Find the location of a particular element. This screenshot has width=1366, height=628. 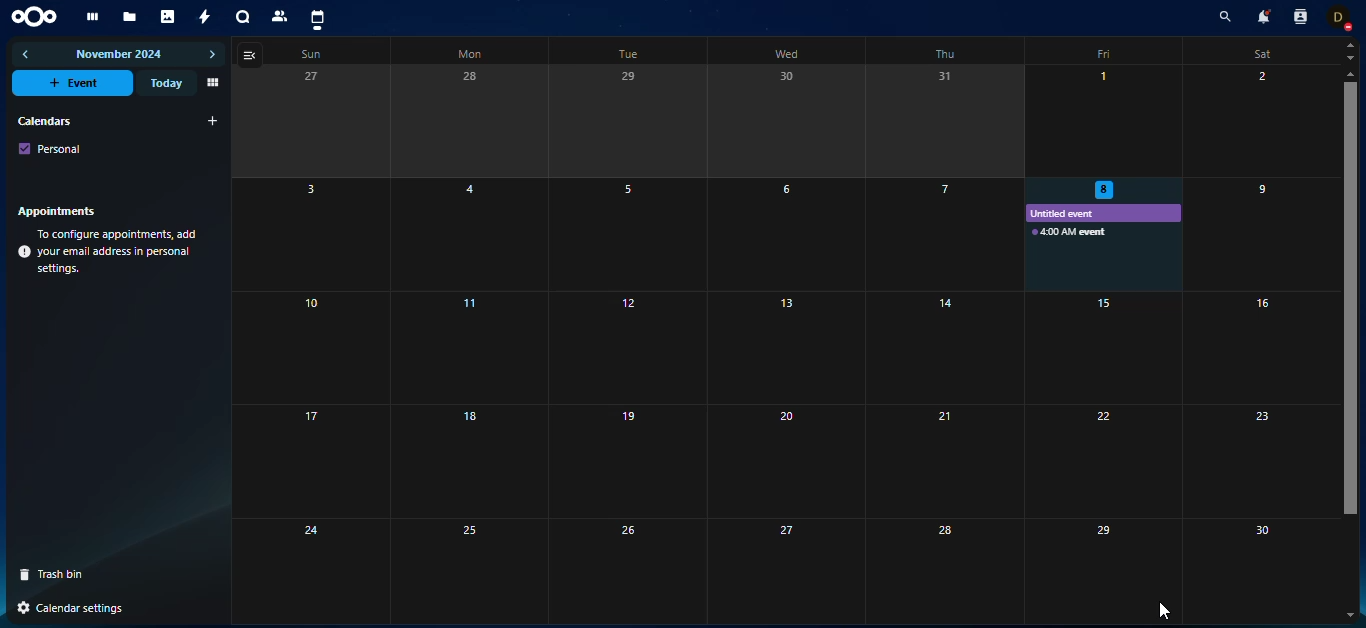

27 is located at coordinates (296, 121).